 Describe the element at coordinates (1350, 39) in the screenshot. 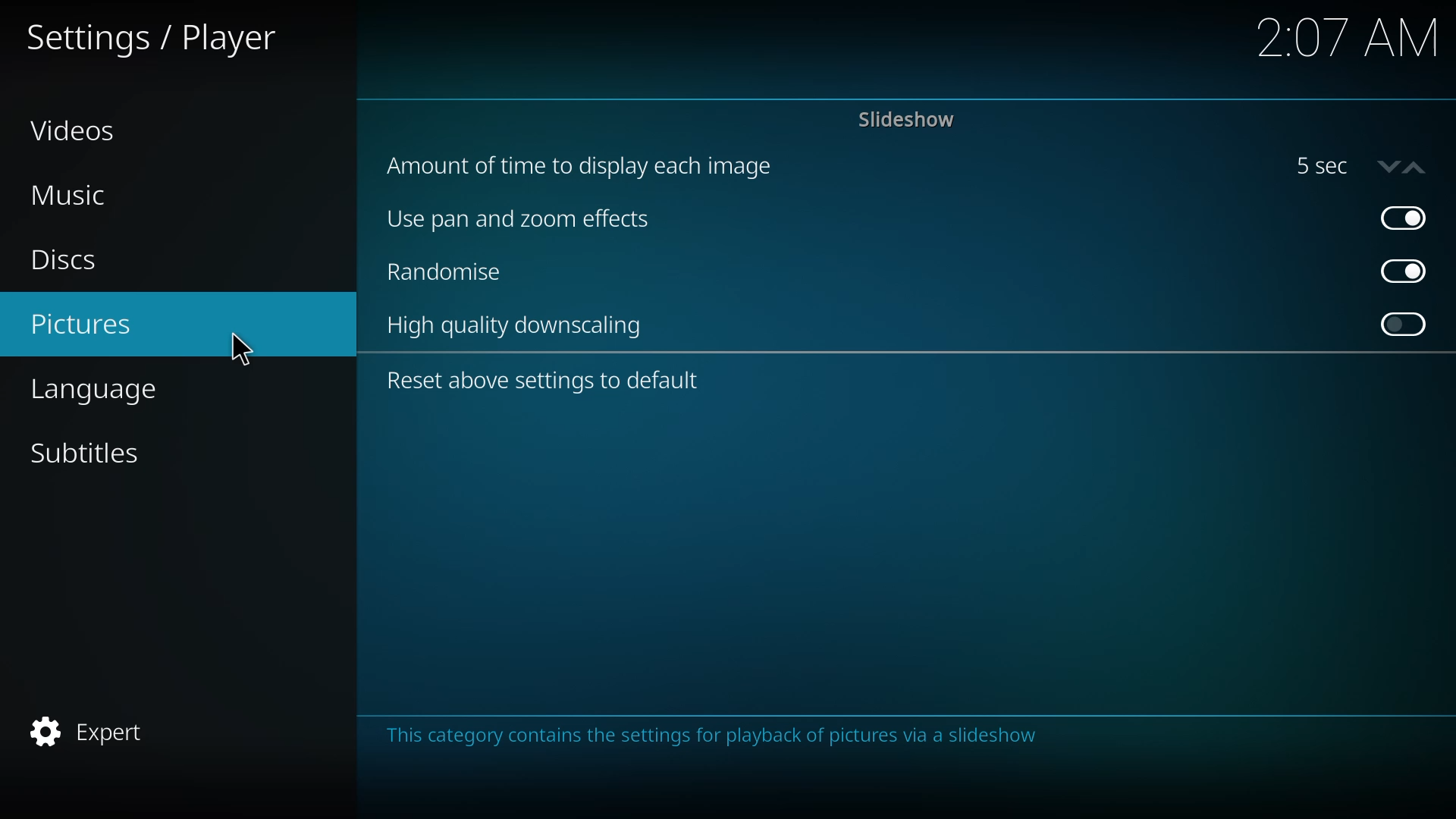

I see `time` at that location.